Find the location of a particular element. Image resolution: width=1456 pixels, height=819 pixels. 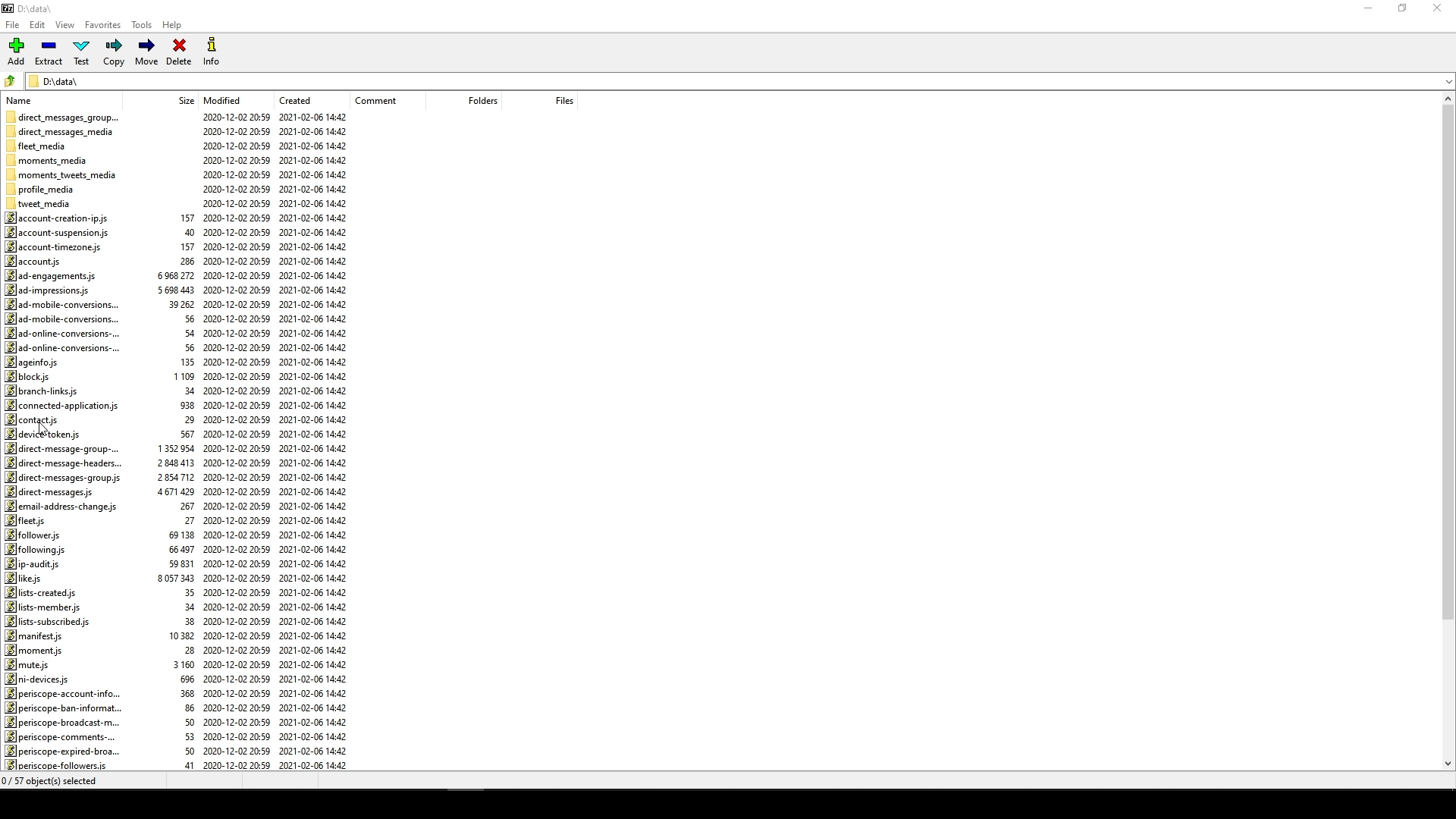

lists-subscribed.js is located at coordinates (51, 621).